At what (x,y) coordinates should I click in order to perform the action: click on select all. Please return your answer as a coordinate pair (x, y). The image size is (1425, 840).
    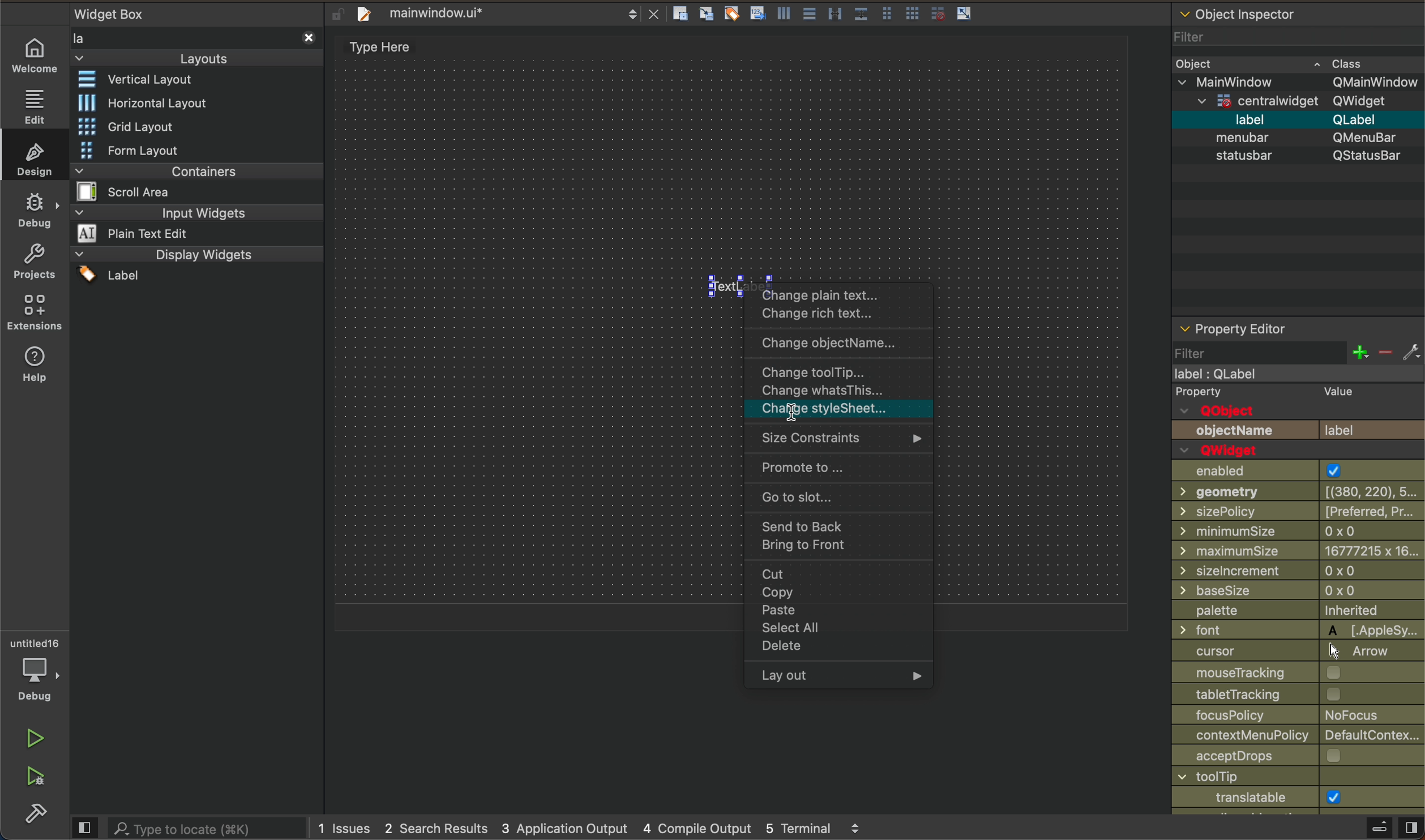
    Looking at the image, I should click on (836, 629).